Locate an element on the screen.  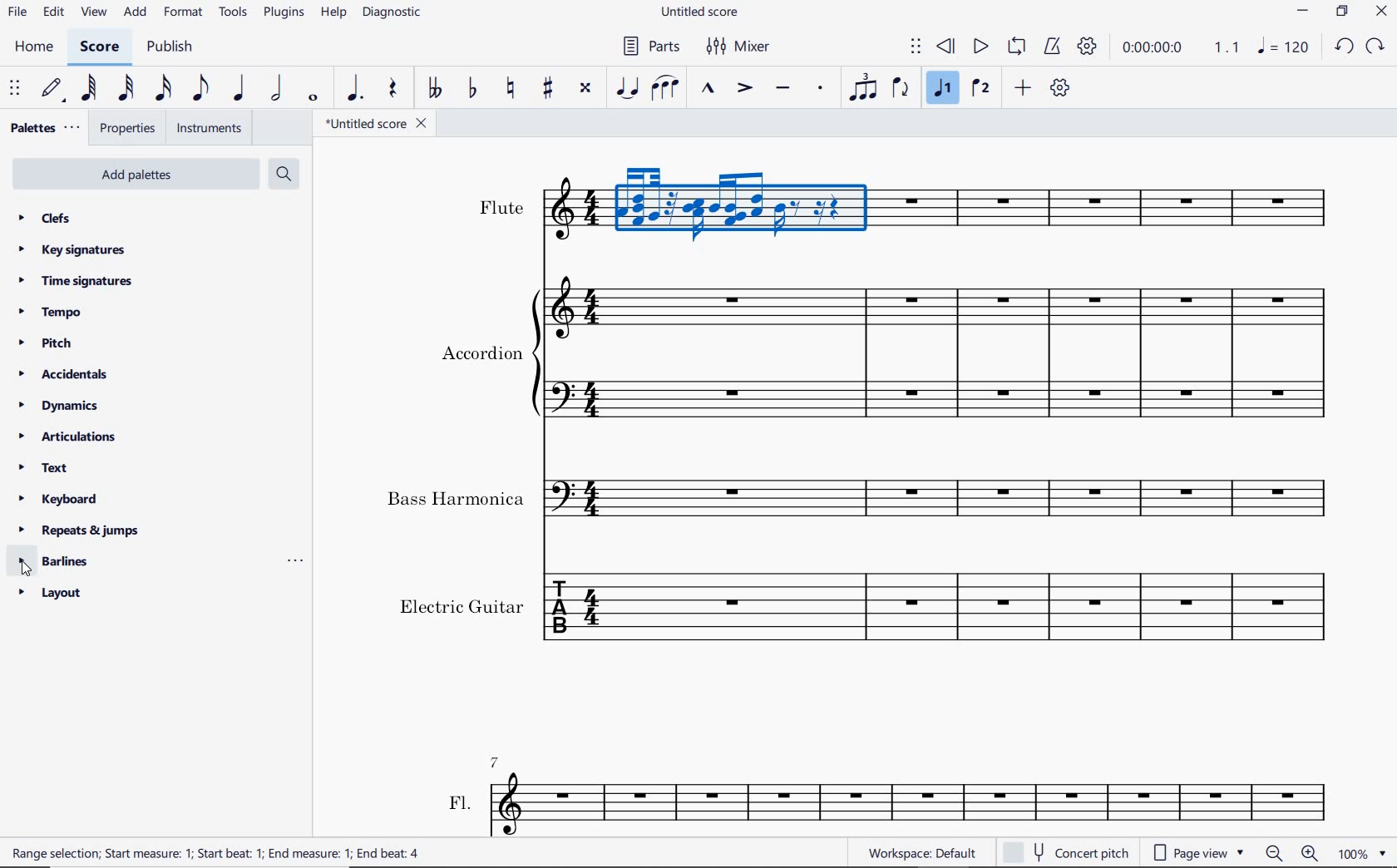
file name is located at coordinates (378, 126).